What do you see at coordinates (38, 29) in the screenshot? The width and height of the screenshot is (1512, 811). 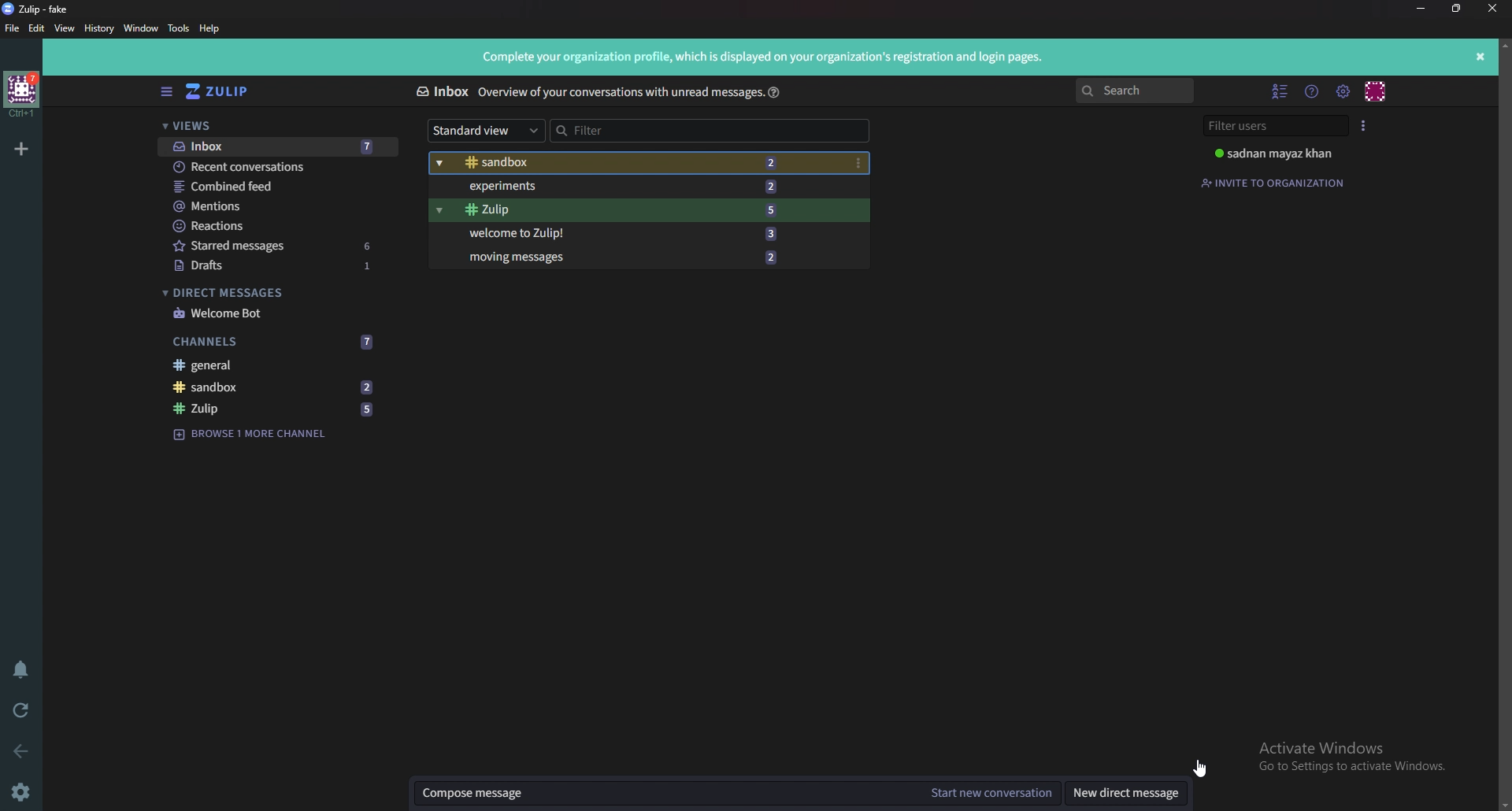 I see `Edit` at bounding box center [38, 29].